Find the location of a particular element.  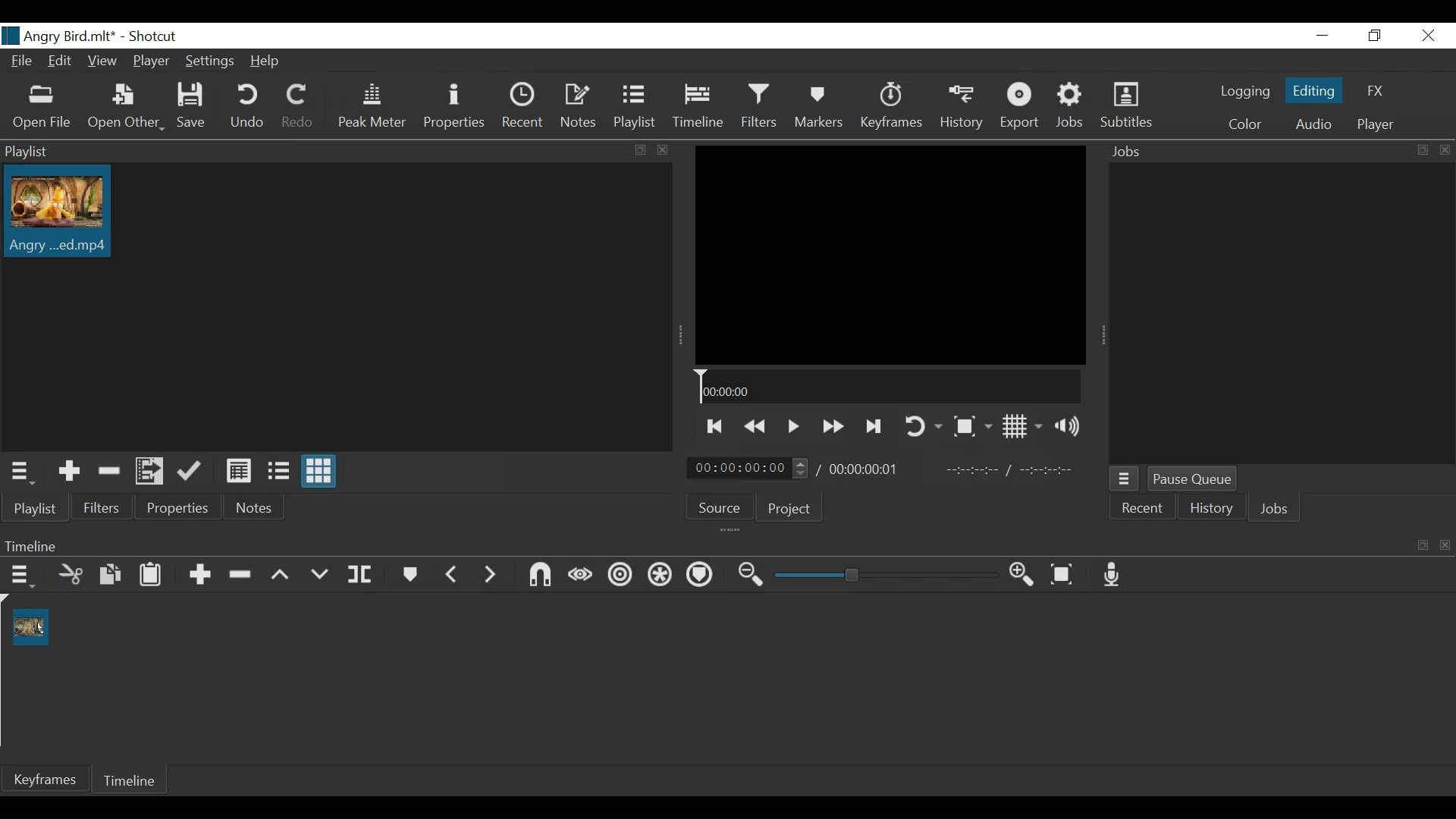

Edit is located at coordinates (61, 61).